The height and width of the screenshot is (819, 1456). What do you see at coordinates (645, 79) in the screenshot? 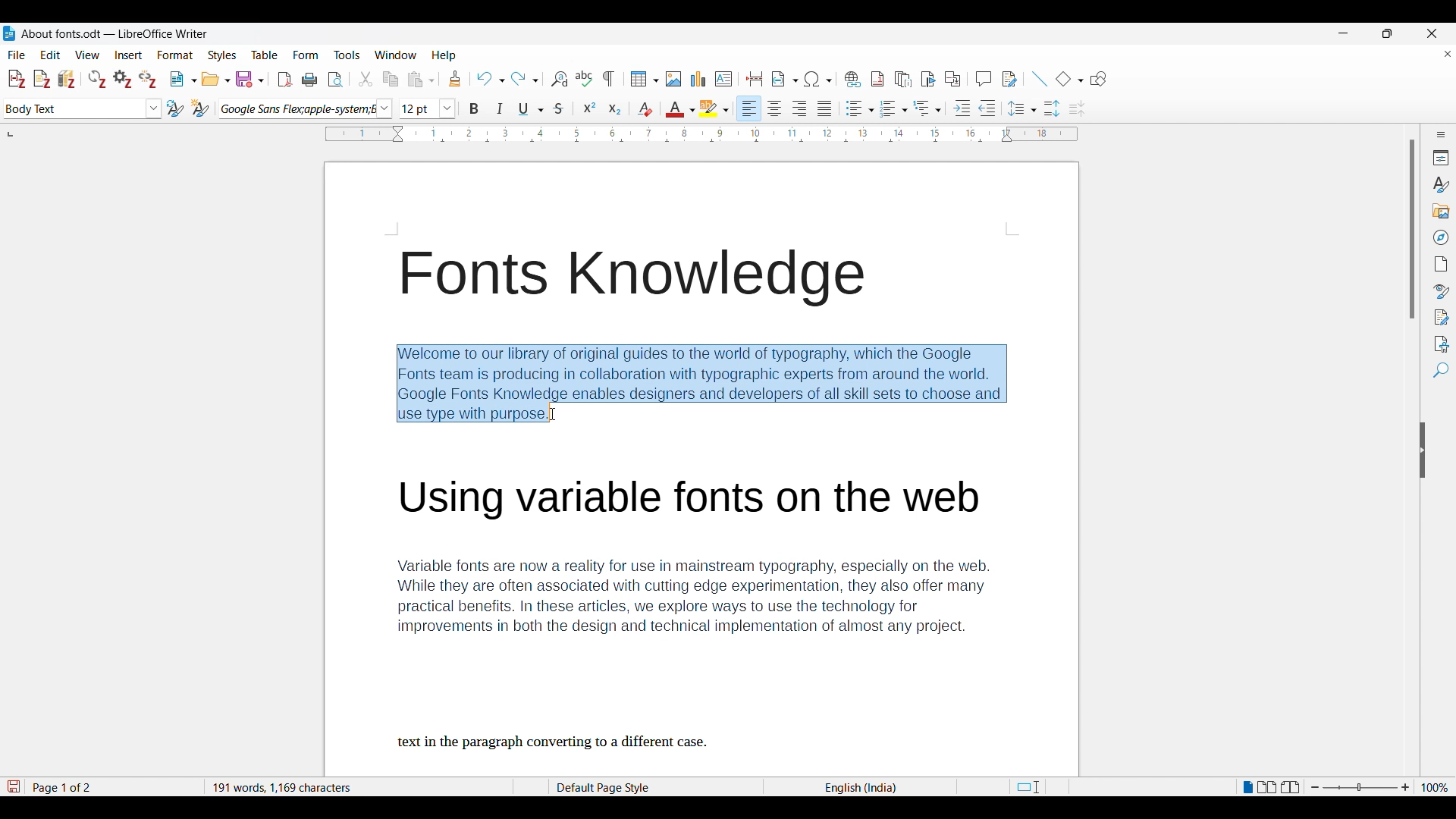
I see `Insert table` at bounding box center [645, 79].